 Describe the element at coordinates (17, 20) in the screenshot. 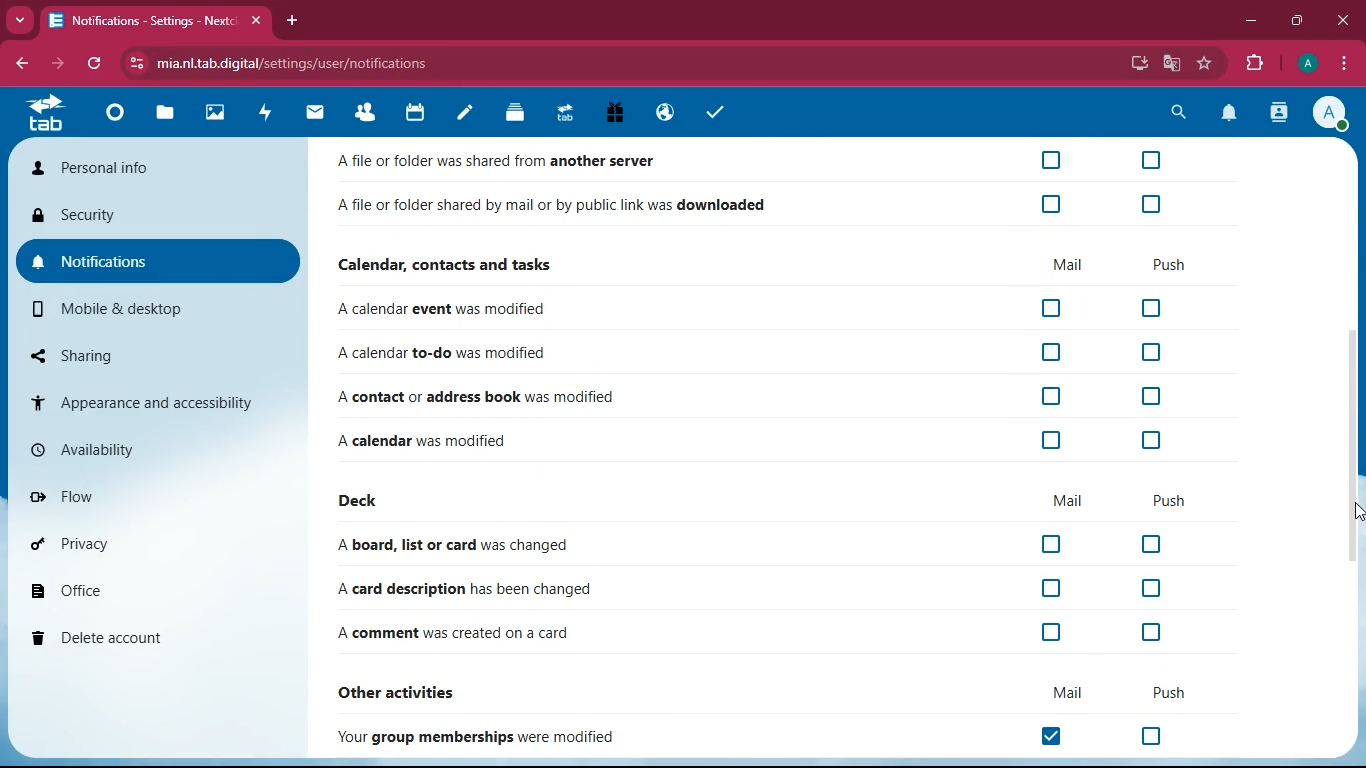

I see `more` at that location.